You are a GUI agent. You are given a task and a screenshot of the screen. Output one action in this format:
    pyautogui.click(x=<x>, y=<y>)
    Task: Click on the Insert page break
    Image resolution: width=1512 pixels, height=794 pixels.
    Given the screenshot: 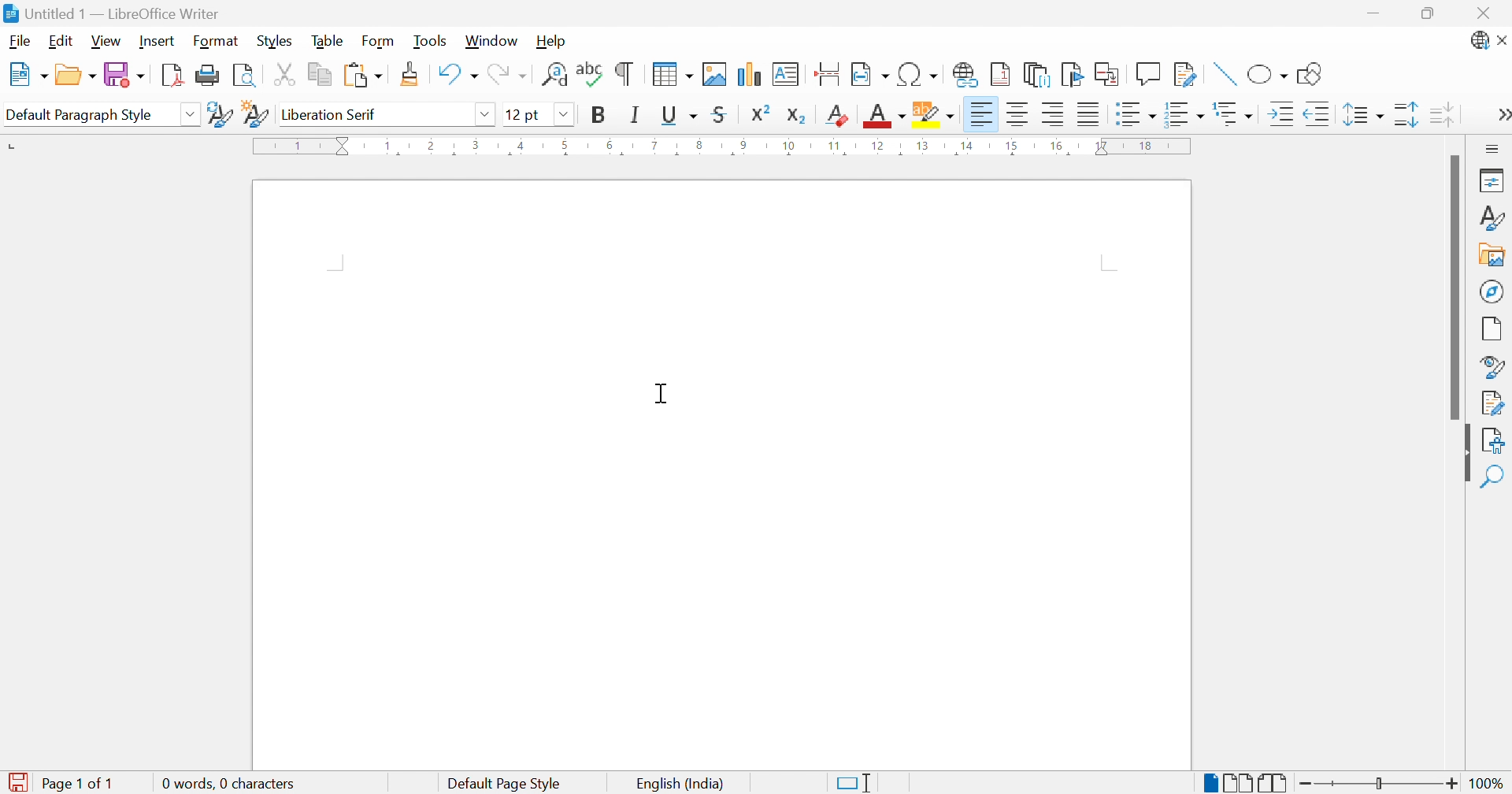 What is the action you would take?
    pyautogui.click(x=829, y=74)
    